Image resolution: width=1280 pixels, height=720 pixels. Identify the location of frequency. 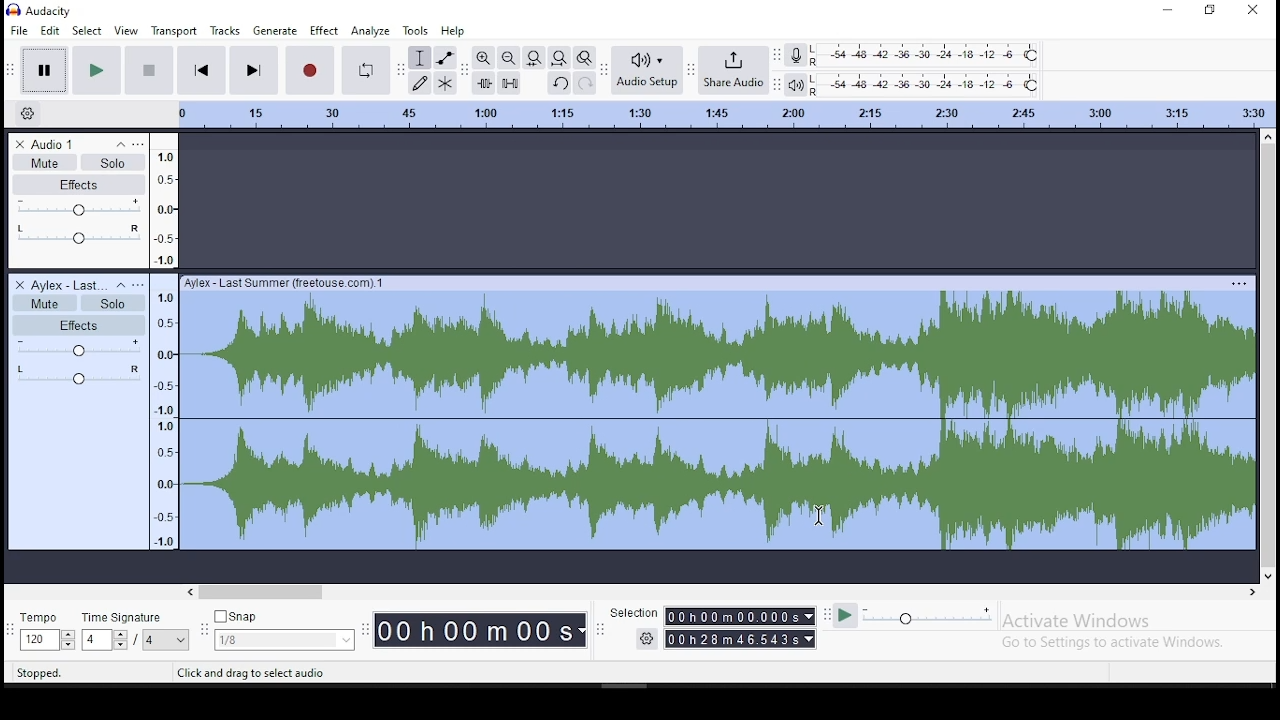
(164, 412).